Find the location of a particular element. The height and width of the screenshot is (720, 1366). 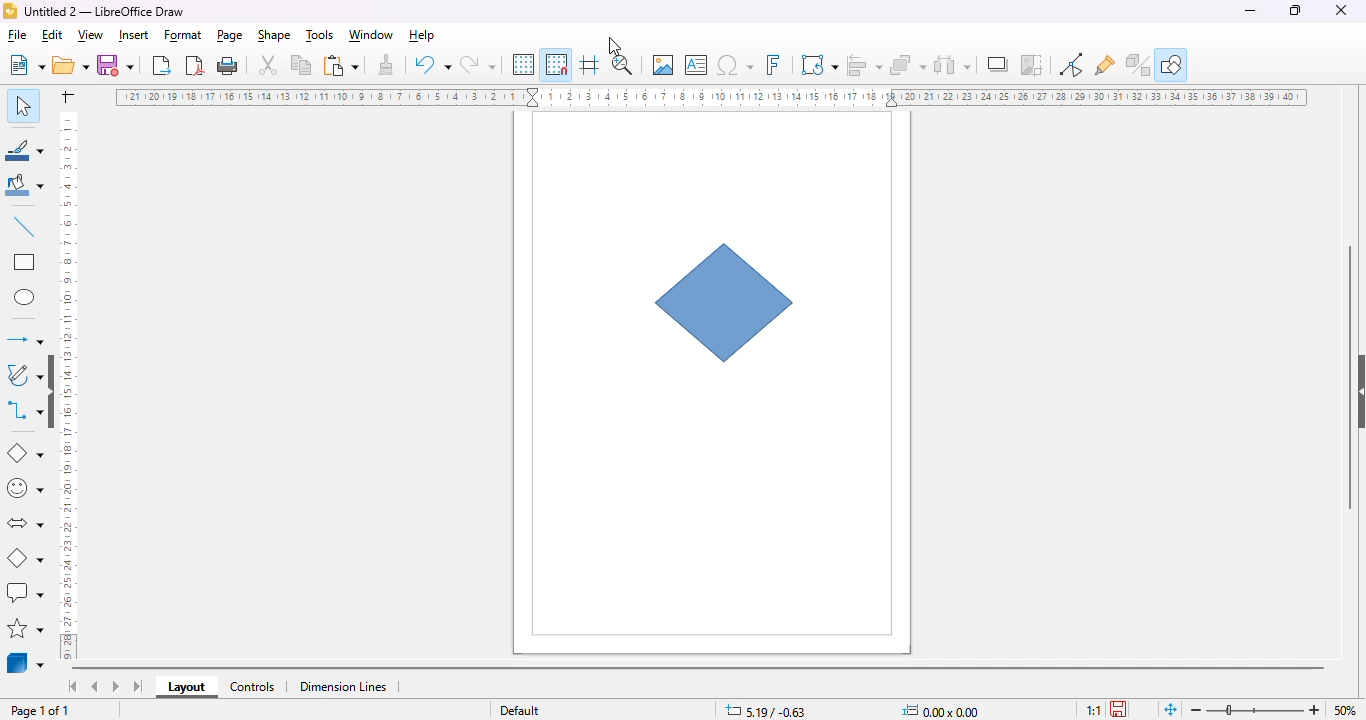

window is located at coordinates (372, 35).